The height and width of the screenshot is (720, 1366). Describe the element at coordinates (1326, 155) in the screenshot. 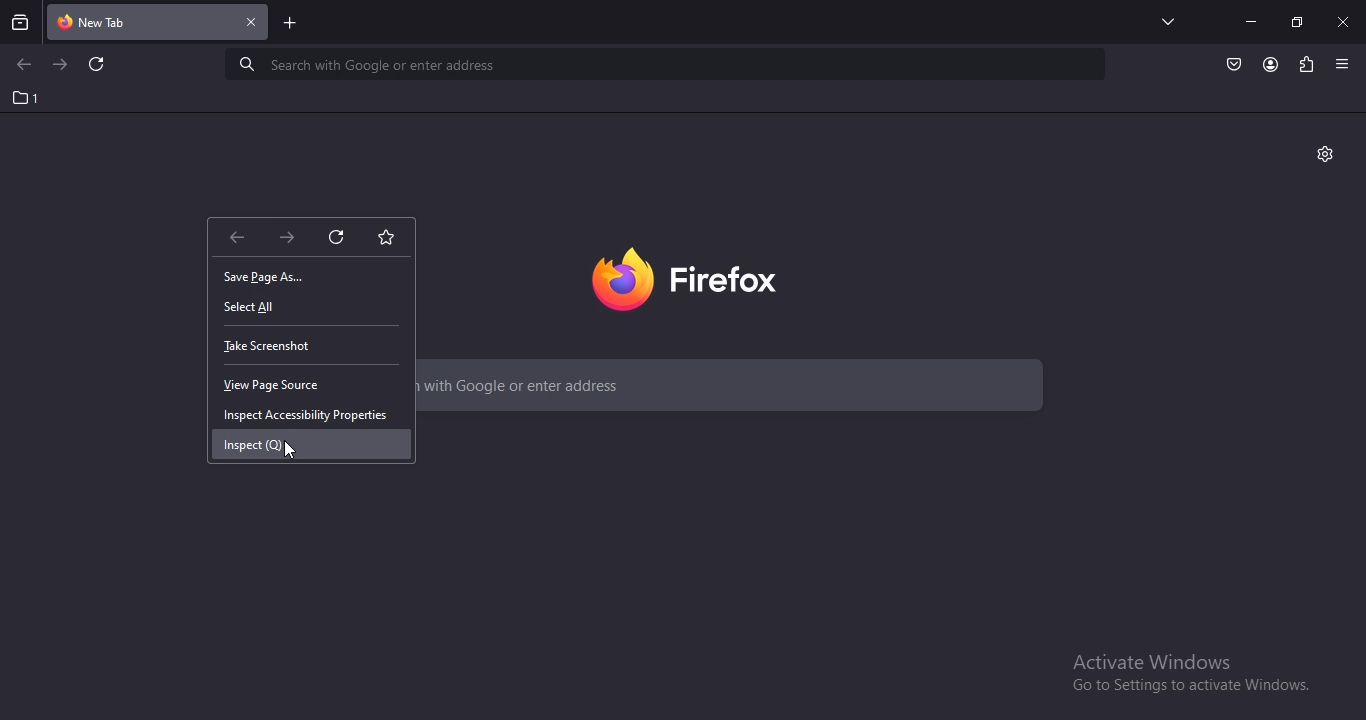

I see `personalise new tab` at that location.